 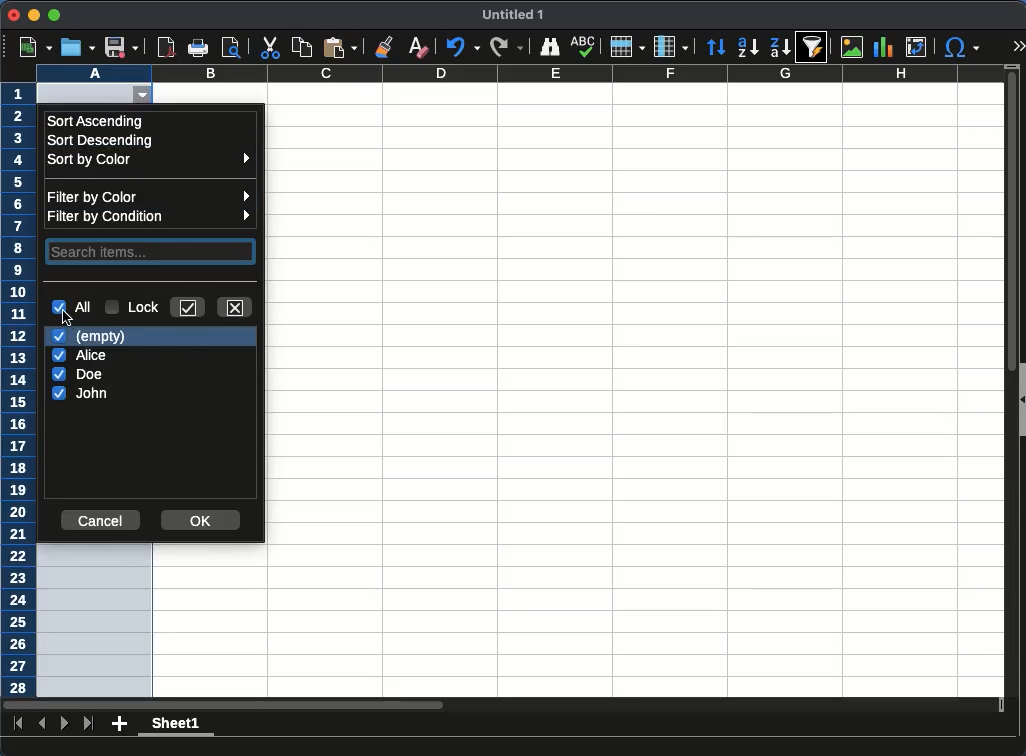 I want to click on sort by color, so click(x=153, y=161).